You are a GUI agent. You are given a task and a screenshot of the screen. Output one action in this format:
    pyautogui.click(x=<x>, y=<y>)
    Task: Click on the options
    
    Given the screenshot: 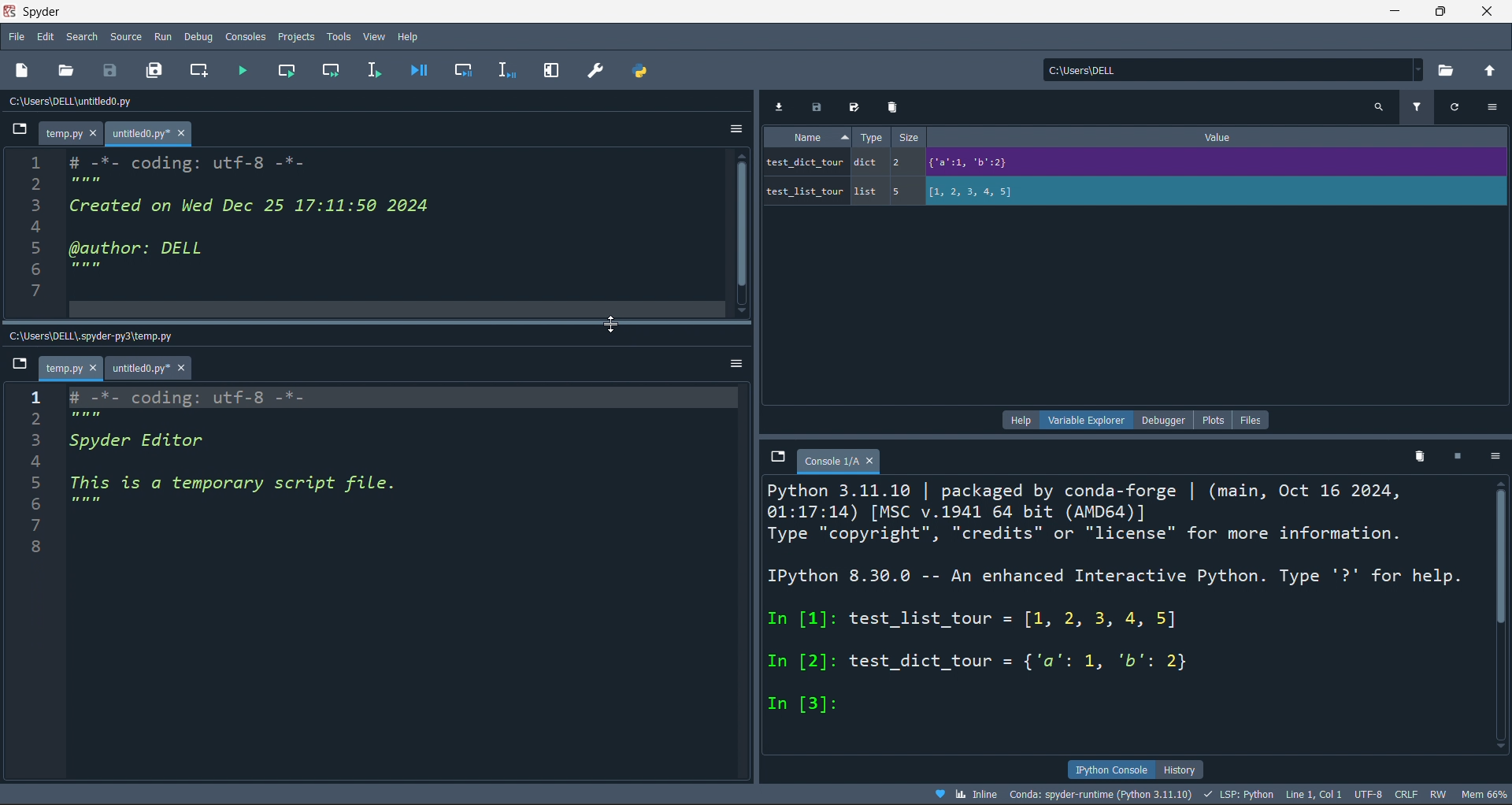 What is the action you would take?
    pyautogui.click(x=1495, y=108)
    